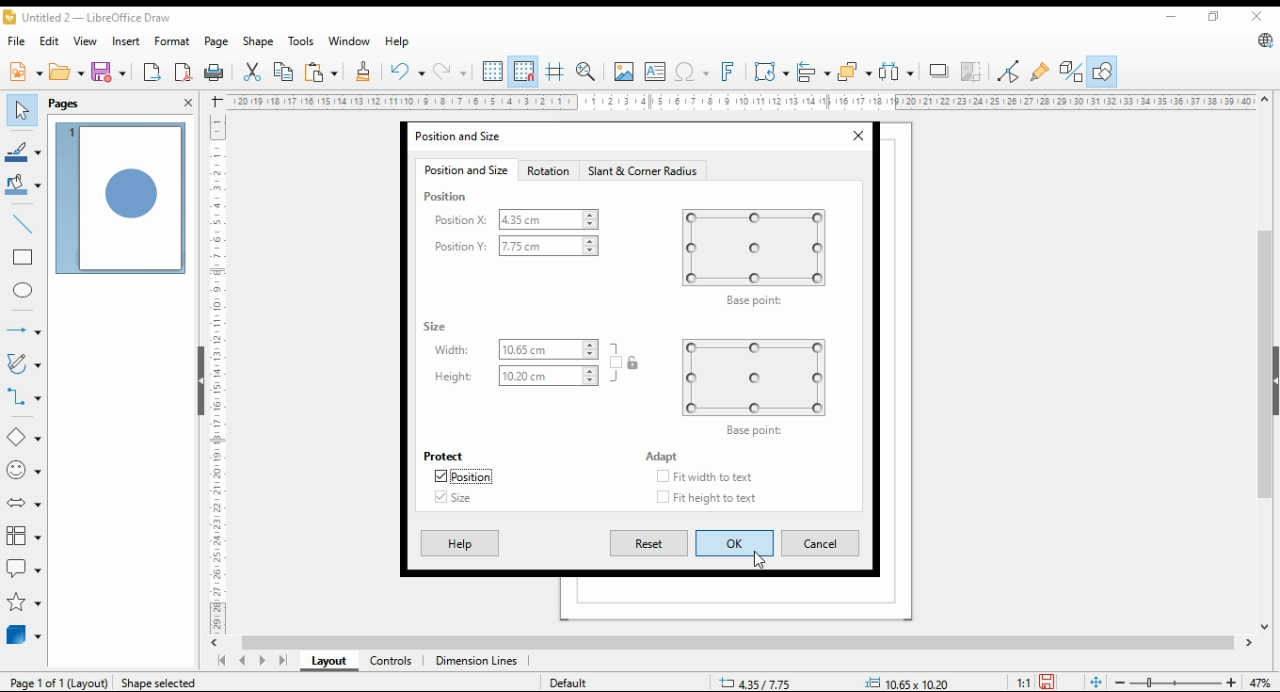 Image resolution: width=1280 pixels, height=692 pixels. Describe the element at coordinates (349, 41) in the screenshot. I see `window` at that location.